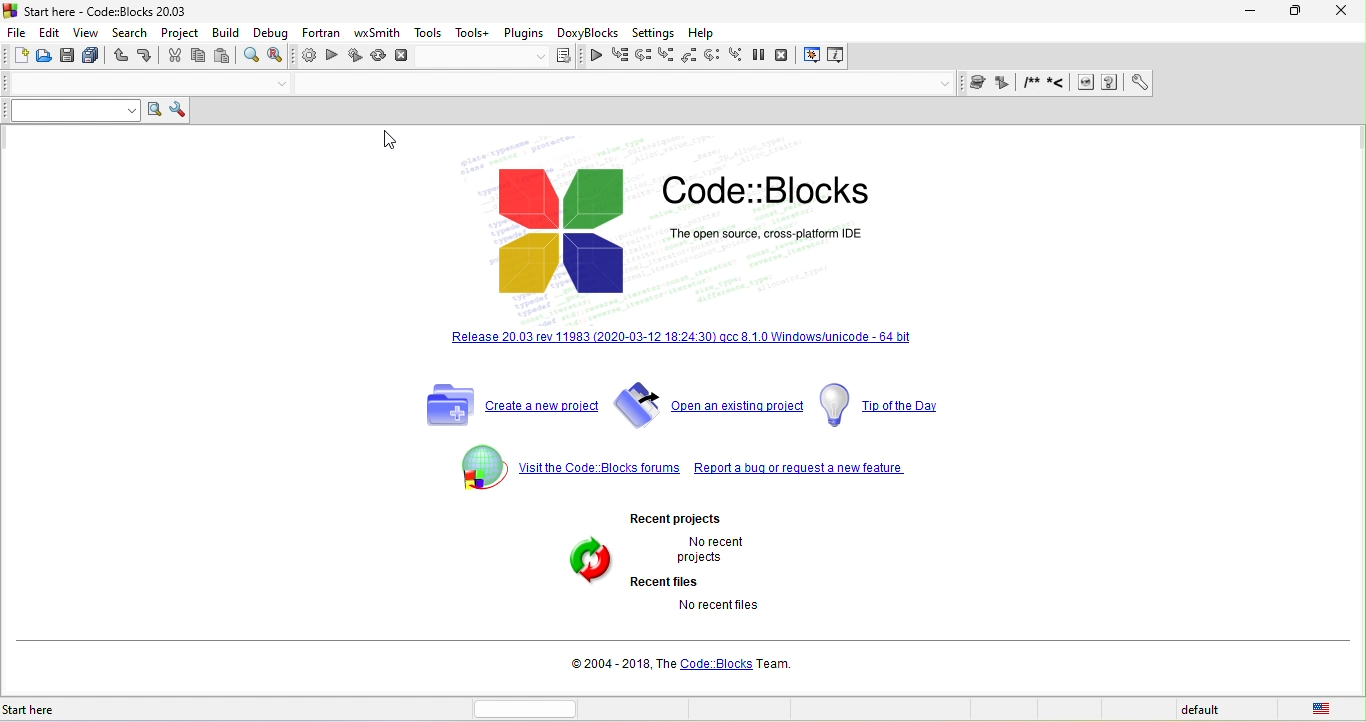 Image resolution: width=1366 pixels, height=722 pixels. I want to click on file, so click(19, 31).